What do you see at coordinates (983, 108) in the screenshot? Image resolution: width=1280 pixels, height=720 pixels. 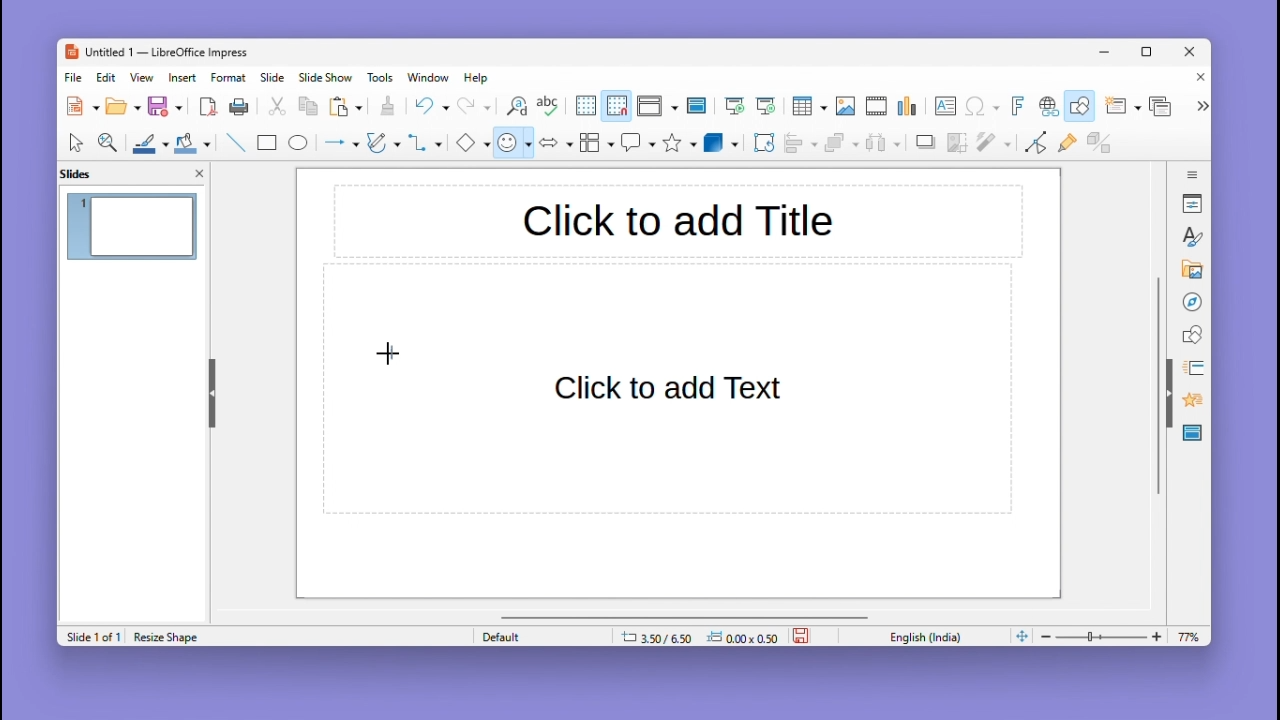 I see `Special character` at bounding box center [983, 108].